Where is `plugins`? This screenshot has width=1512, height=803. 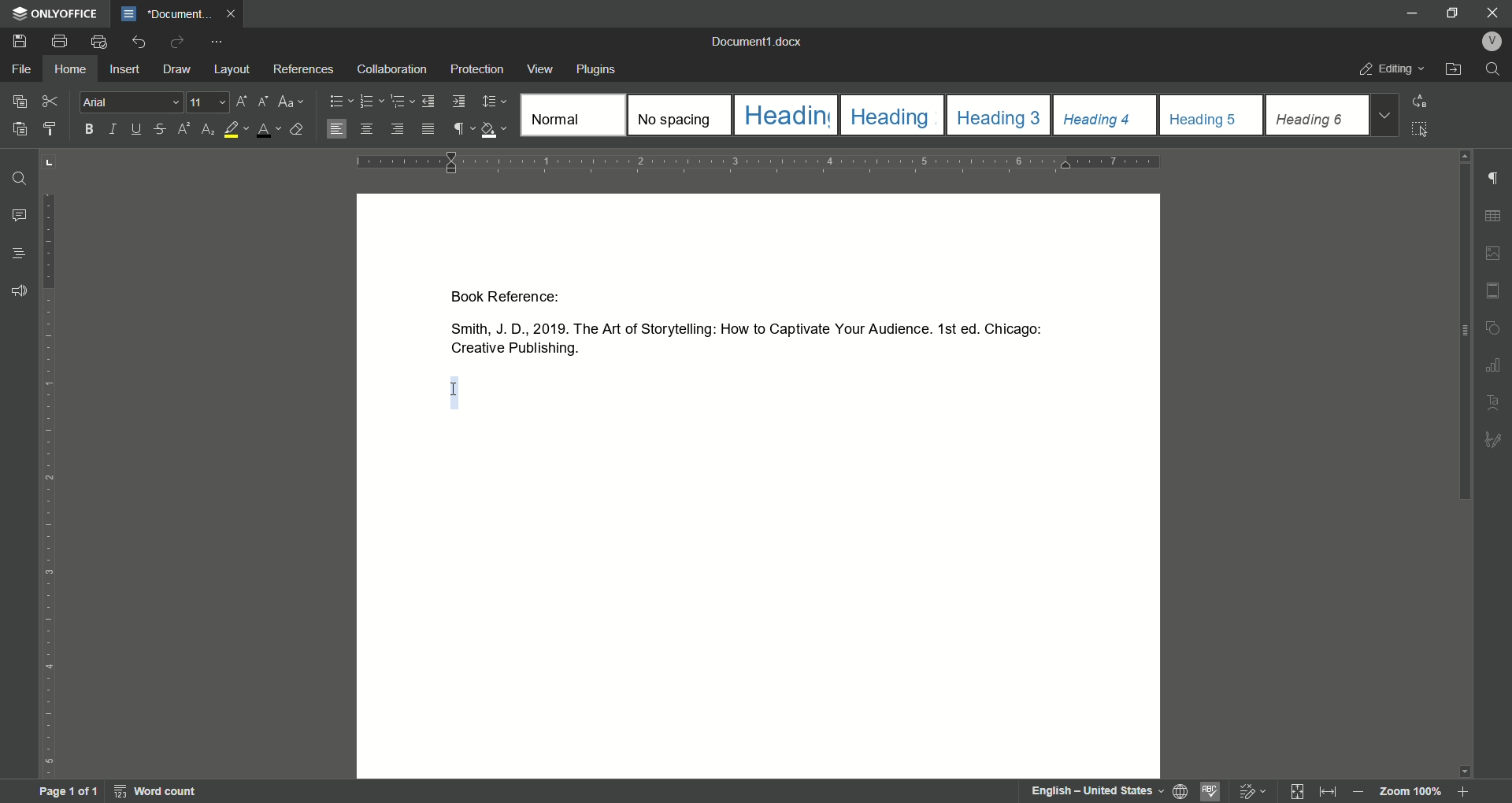
plugins is located at coordinates (597, 69).